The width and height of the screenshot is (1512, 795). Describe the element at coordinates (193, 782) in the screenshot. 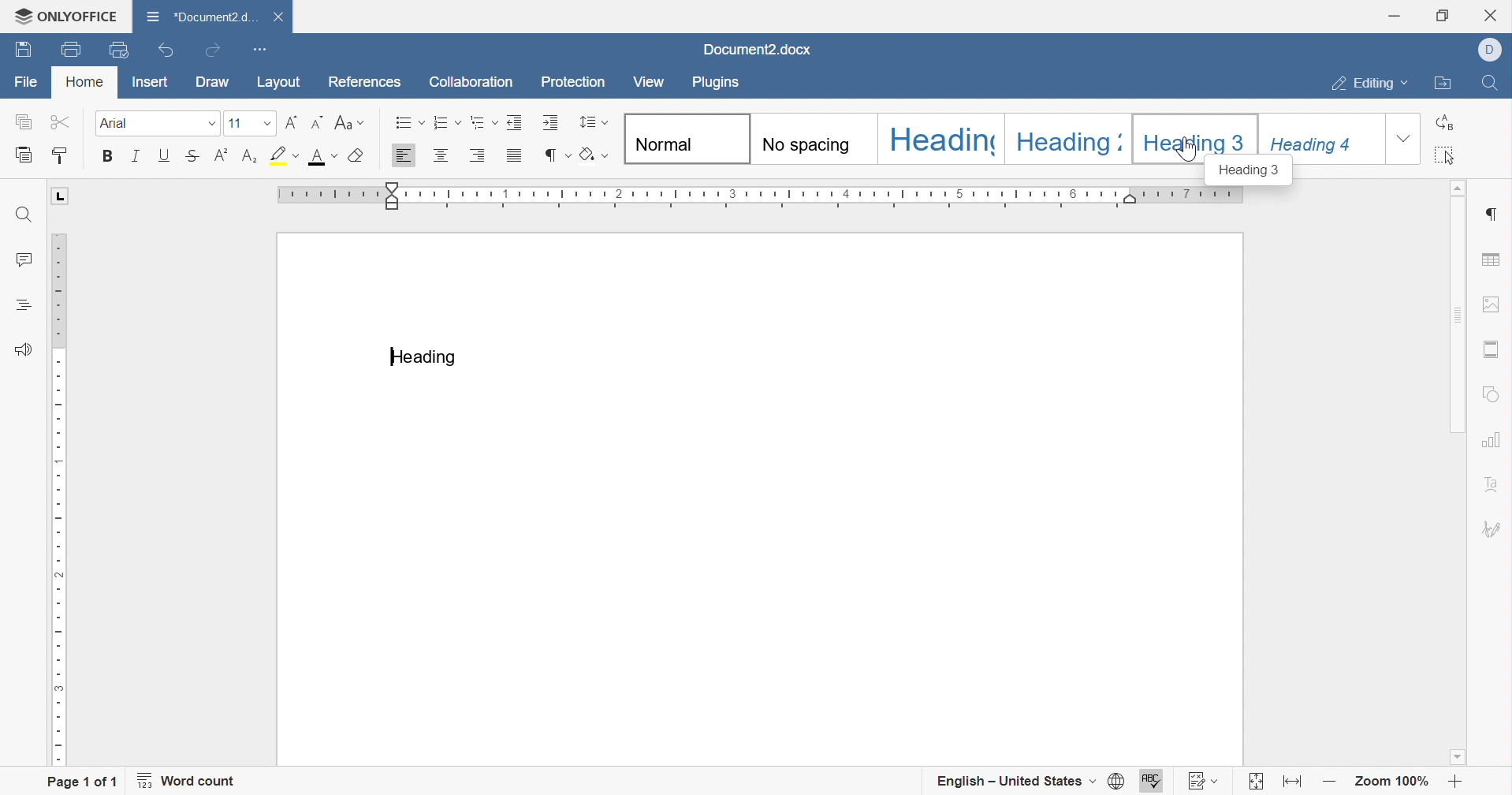

I see `Word count` at that location.